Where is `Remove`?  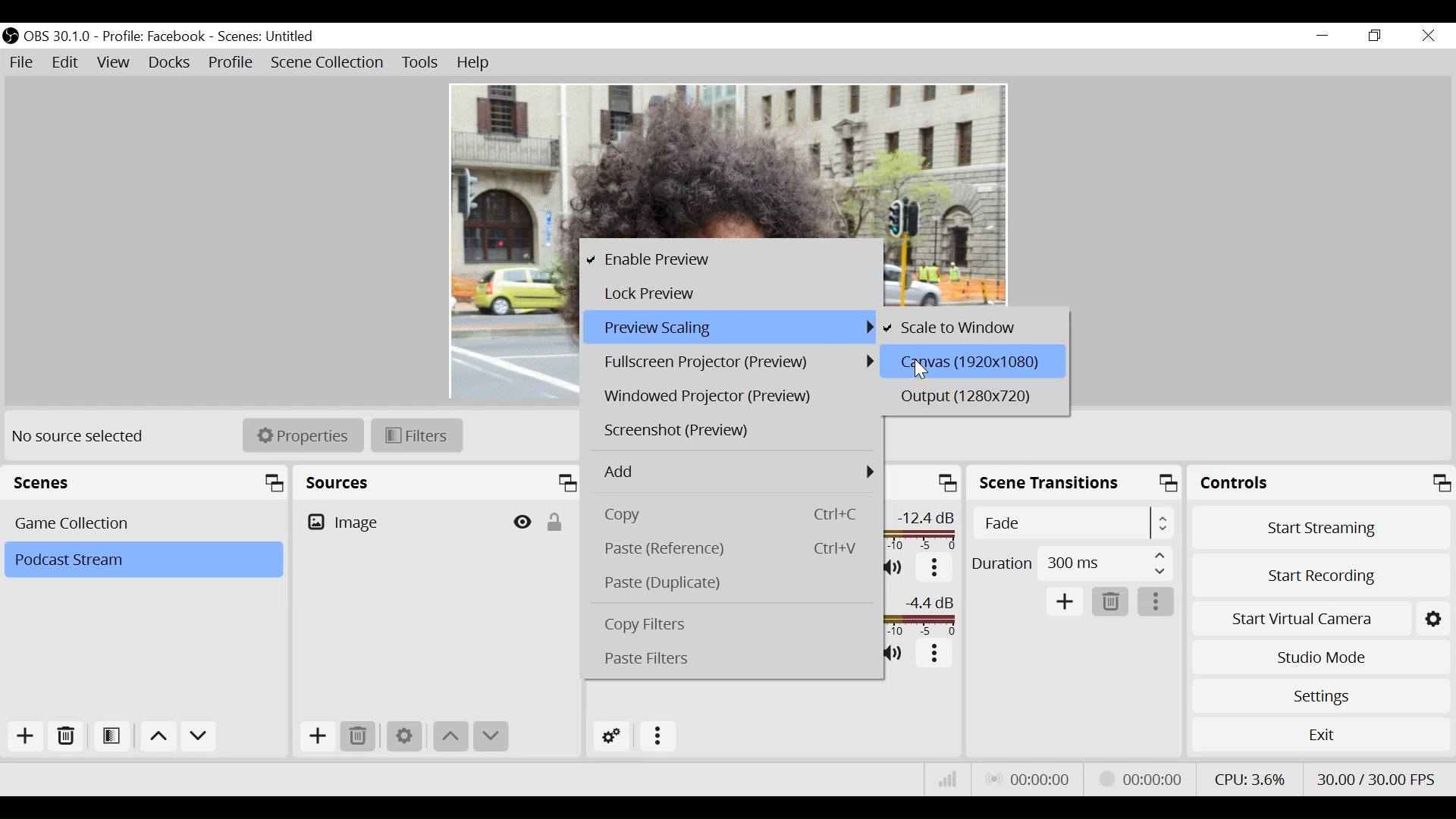 Remove is located at coordinates (359, 738).